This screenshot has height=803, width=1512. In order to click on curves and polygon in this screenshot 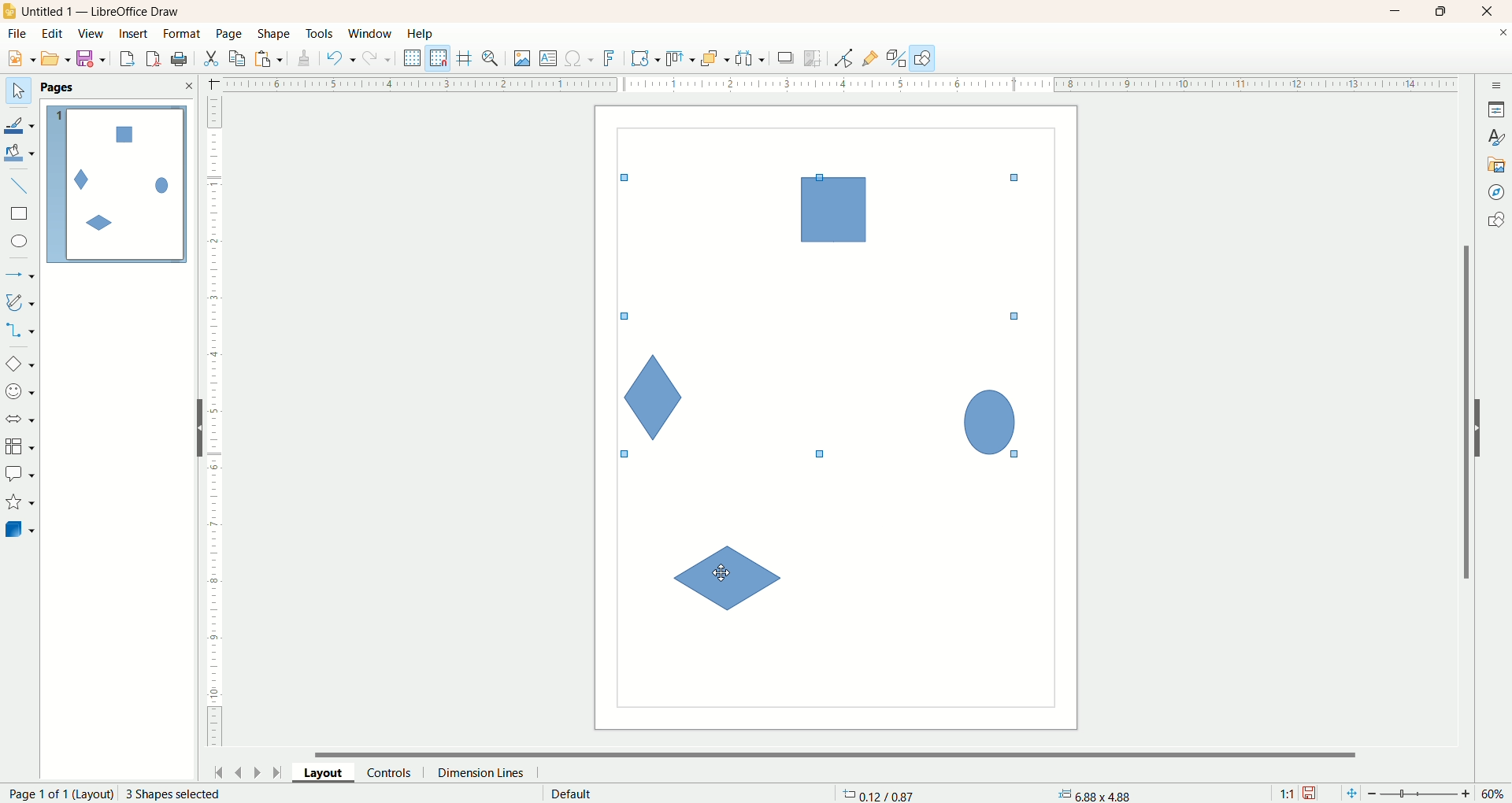, I will do `click(21, 302)`.